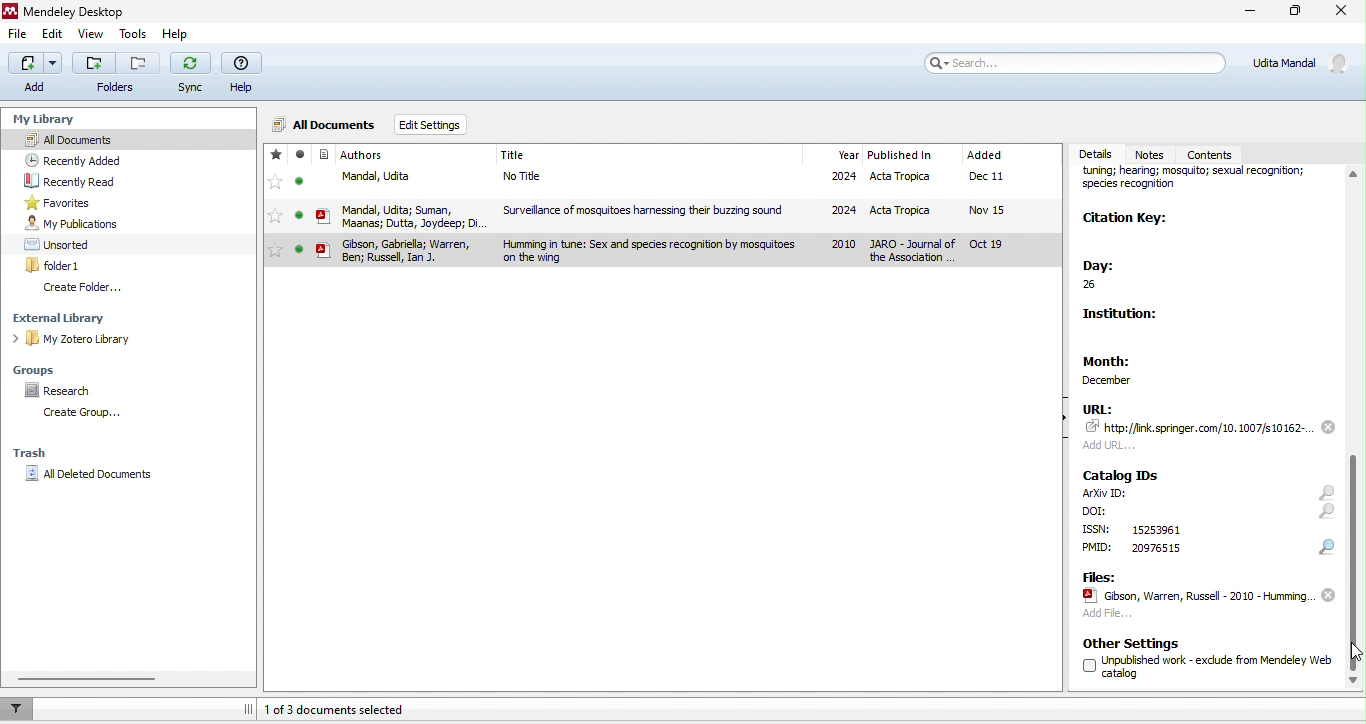 This screenshot has width=1366, height=724. I want to click on add, so click(33, 74).